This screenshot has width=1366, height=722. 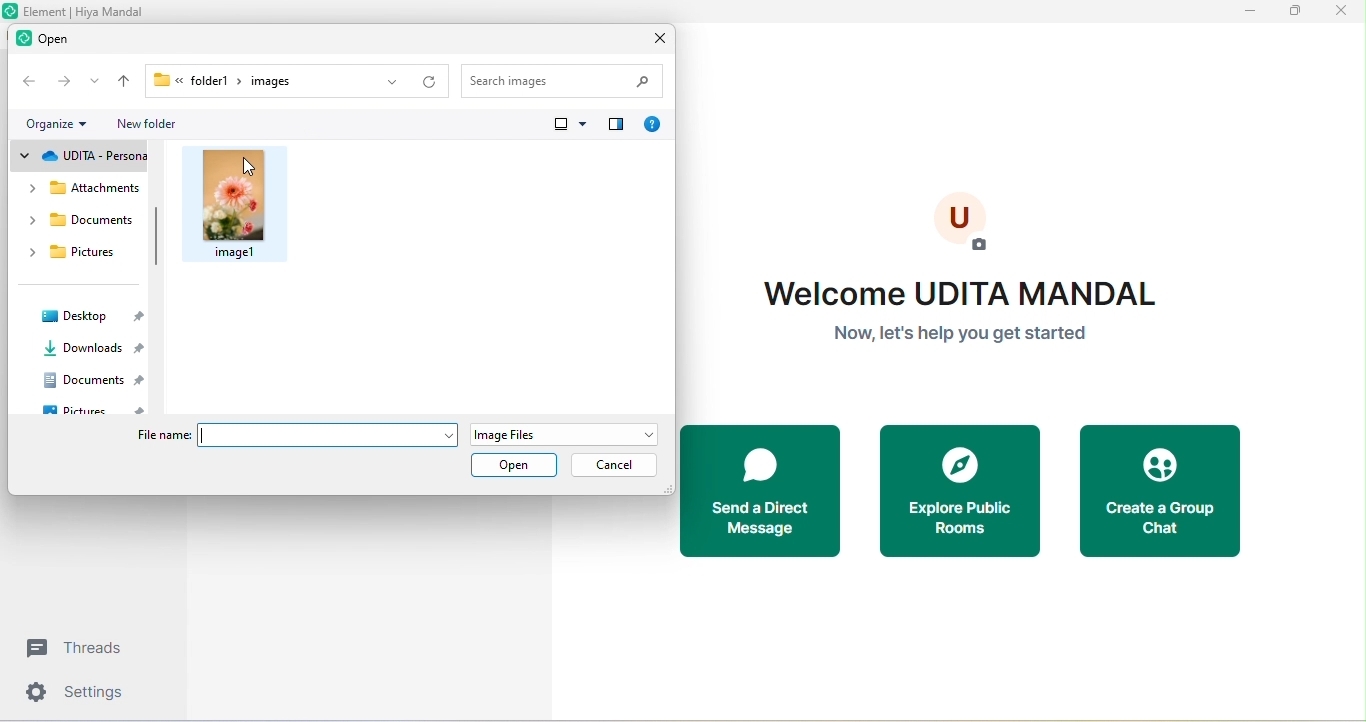 I want to click on thread, so click(x=82, y=648).